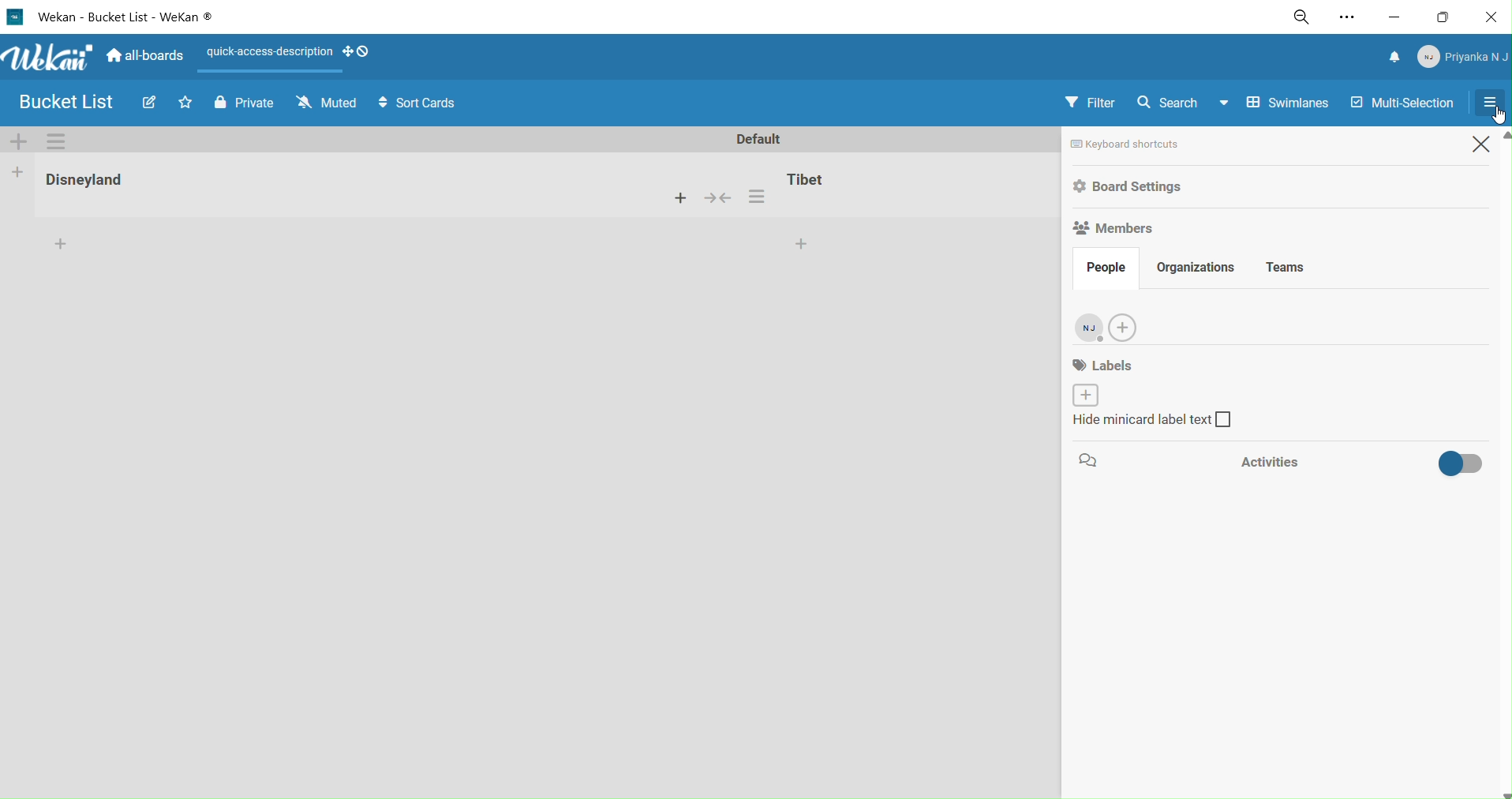 The width and height of the screenshot is (1512, 799). Describe the element at coordinates (1394, 16) in the screenshot. I see `minimize` at that location.